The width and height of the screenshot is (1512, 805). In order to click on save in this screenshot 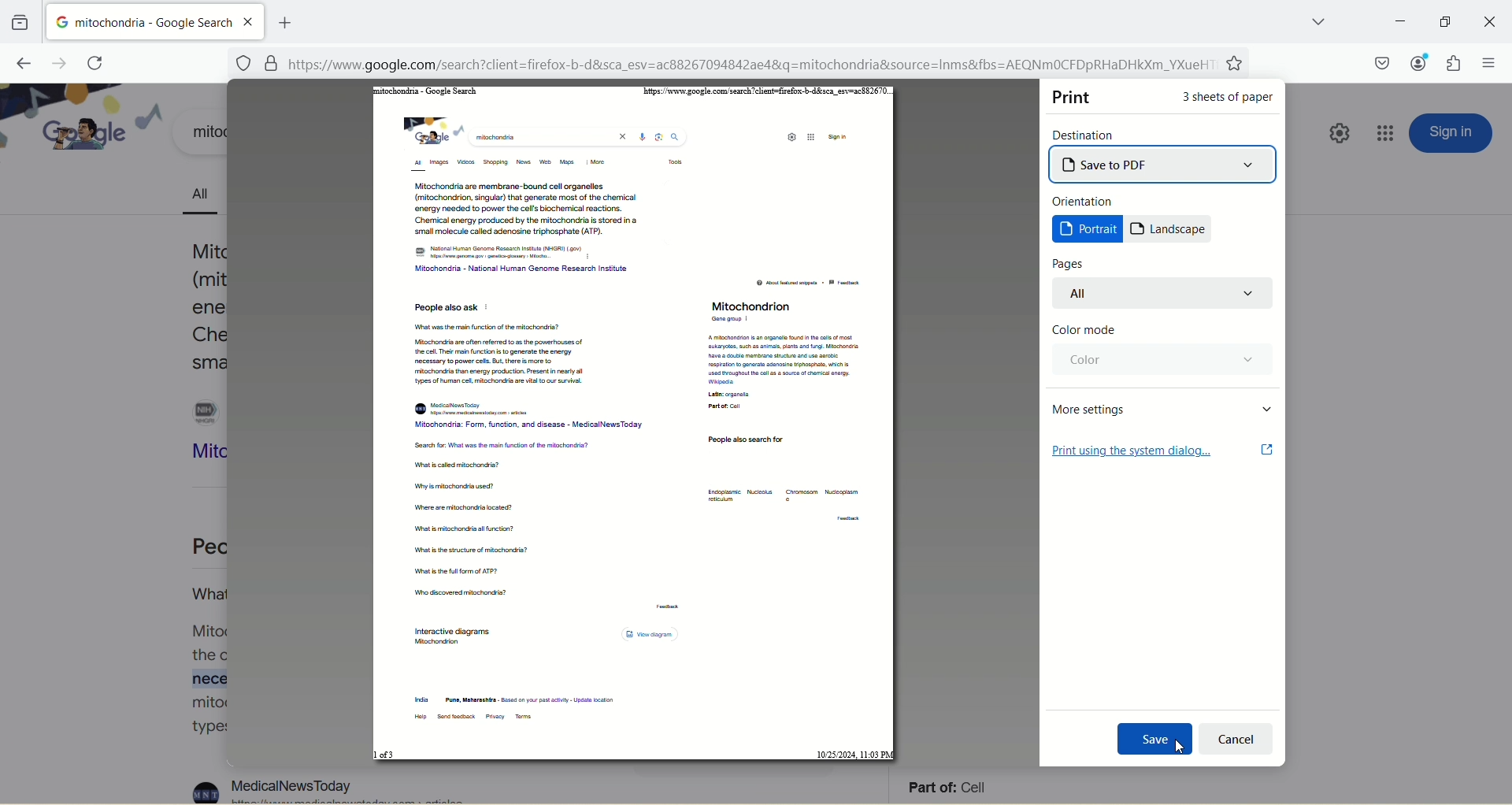, I will do `click(1152, 740)`.